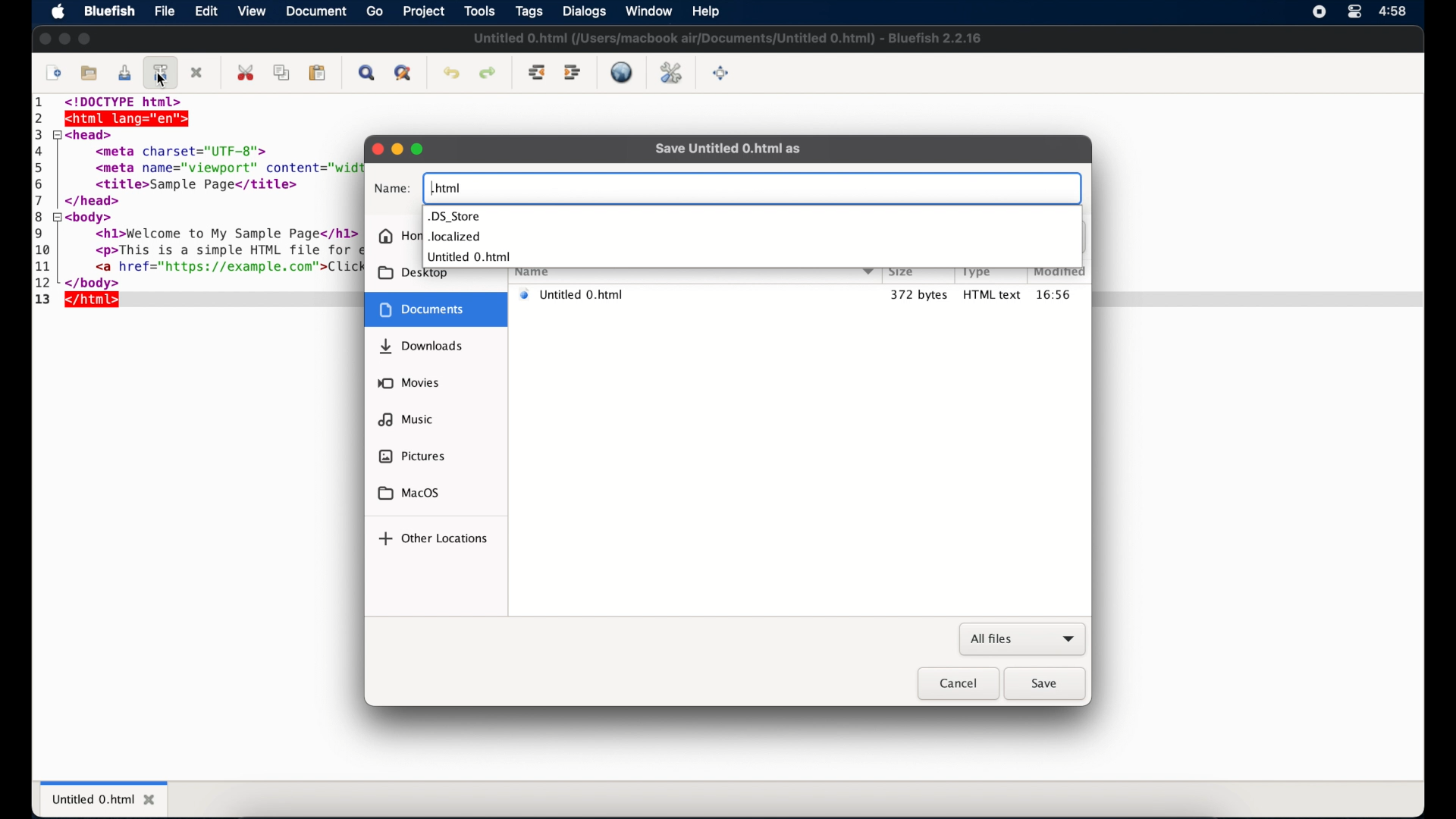 The height and width of the screenshot is (819, 1456). I want to click on pictures, so click(410, 456).